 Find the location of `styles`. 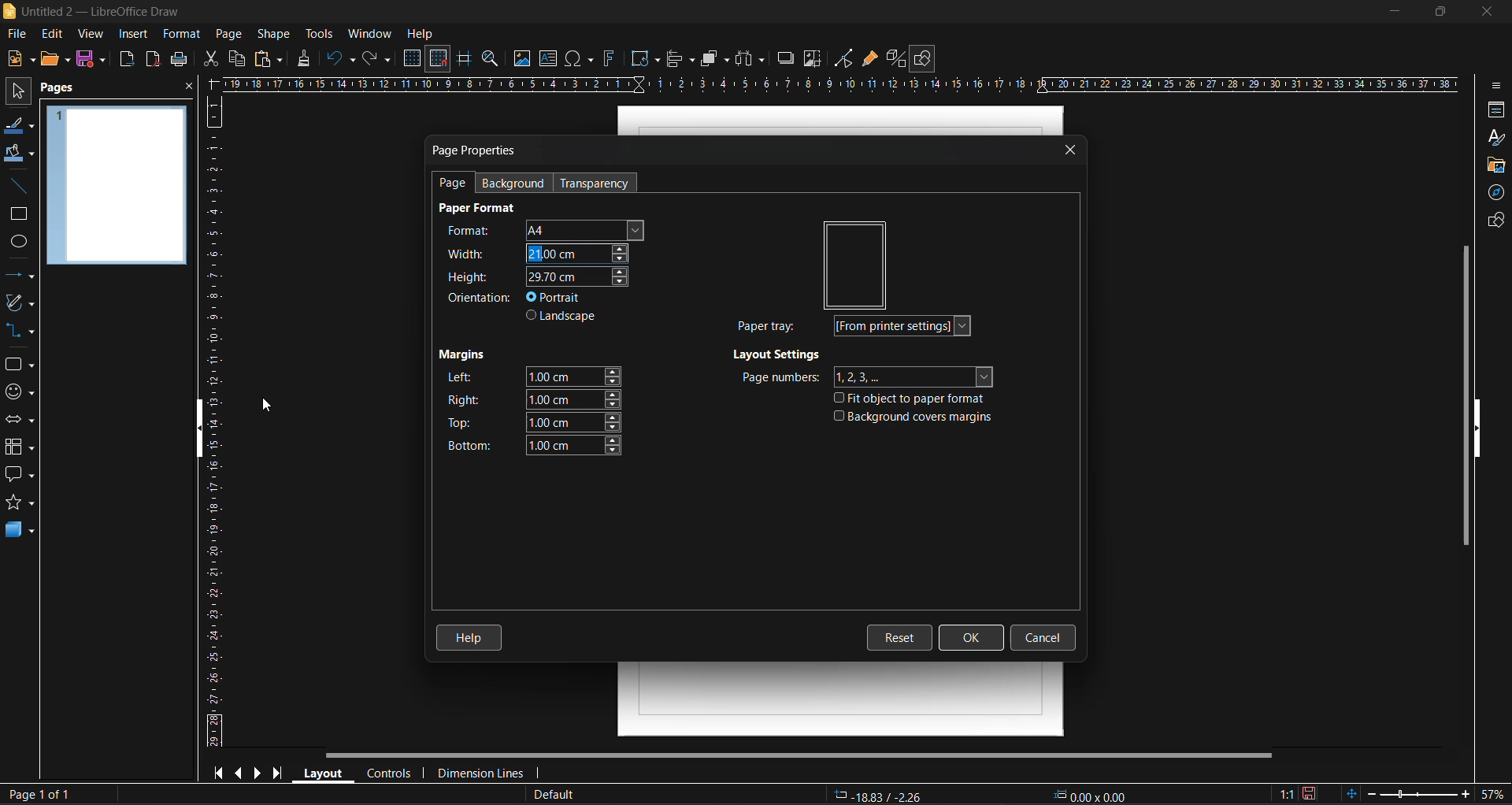

styles is located at coordinates (1496, 139).